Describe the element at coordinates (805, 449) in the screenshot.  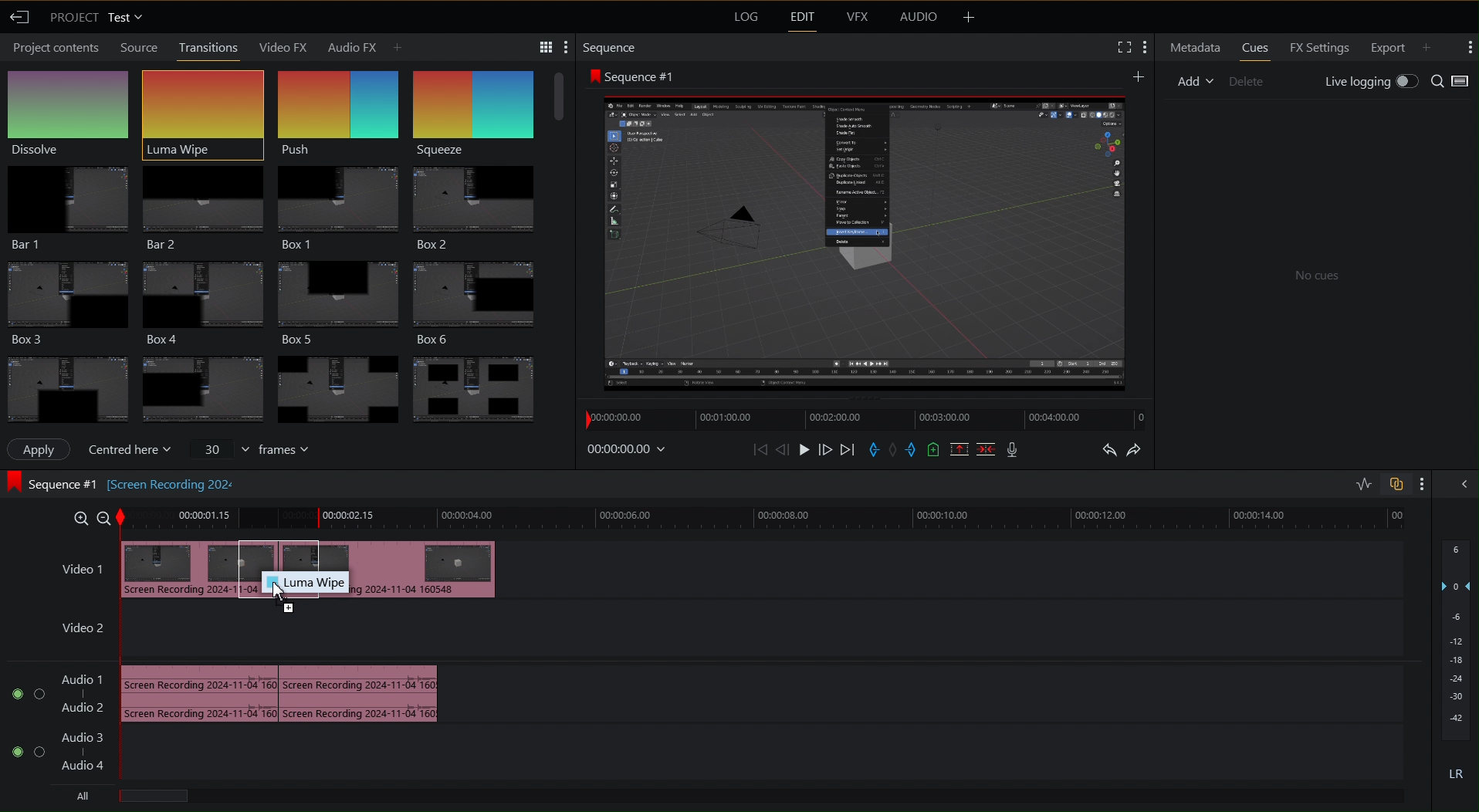
I see `Play` at that location.